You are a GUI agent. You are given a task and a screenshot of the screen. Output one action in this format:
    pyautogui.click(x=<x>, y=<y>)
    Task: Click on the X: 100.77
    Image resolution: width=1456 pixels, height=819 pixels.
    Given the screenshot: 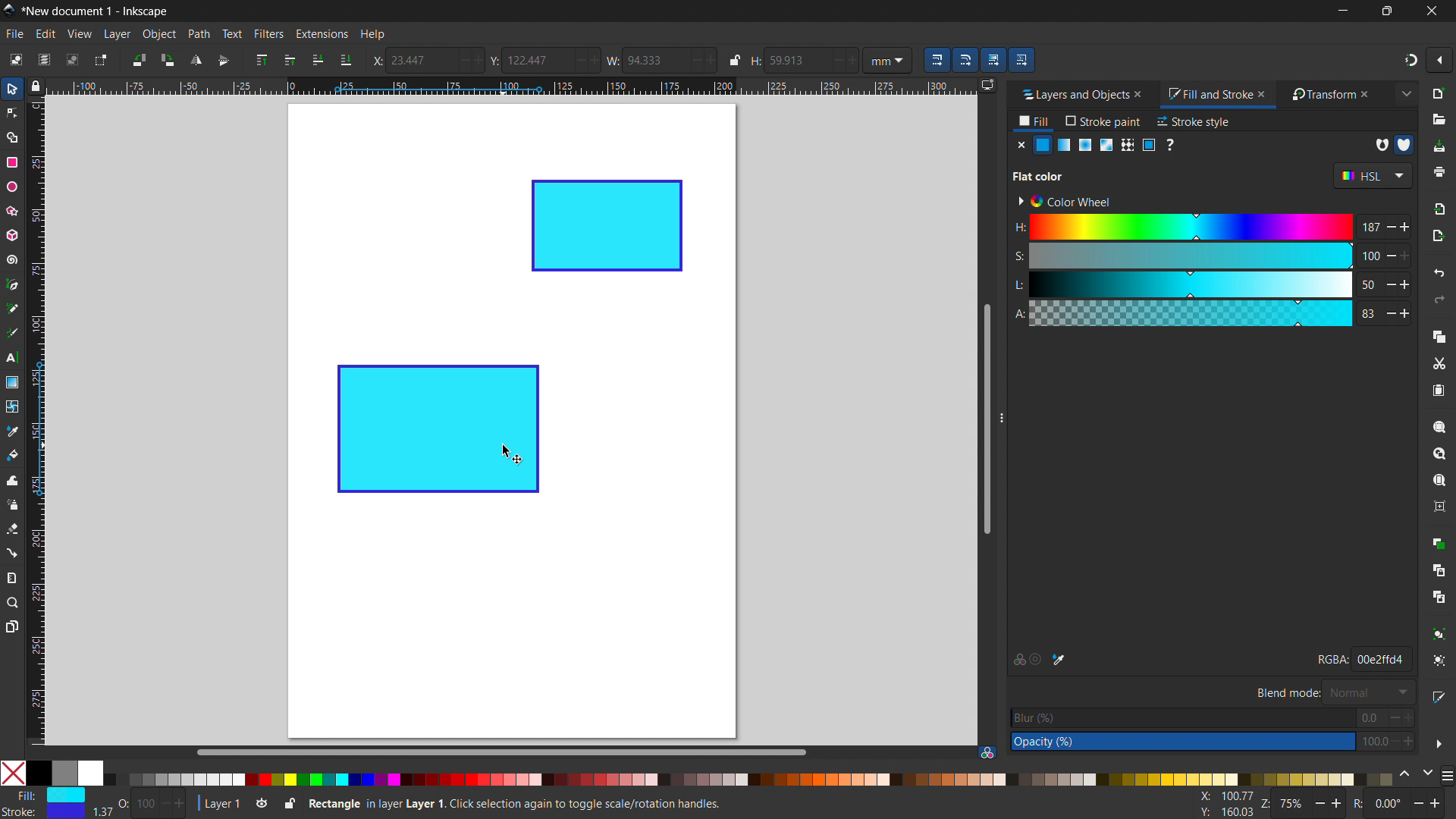 What is the action you would take?
    pyautogui.click(x=1222, y=797)
    